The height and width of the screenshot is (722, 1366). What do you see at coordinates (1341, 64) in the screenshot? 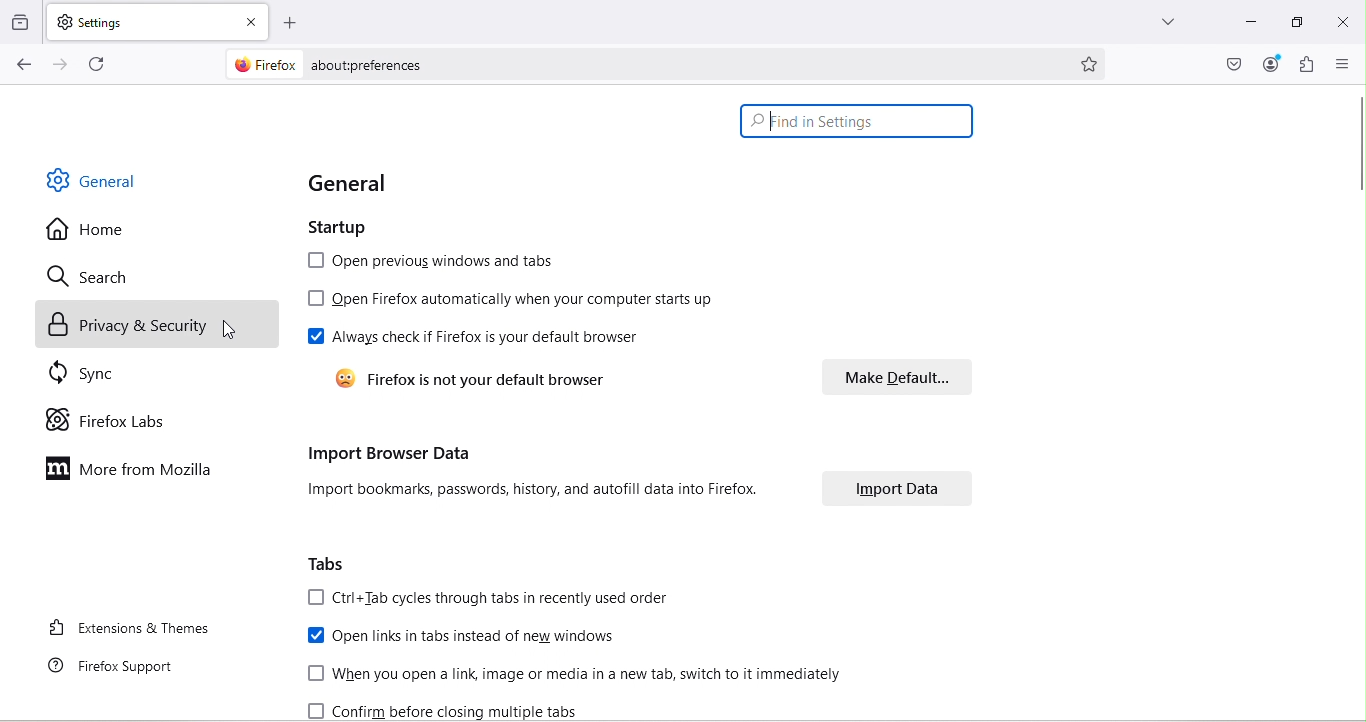
I see `Open application menu` at bounding box center [1341, 64].